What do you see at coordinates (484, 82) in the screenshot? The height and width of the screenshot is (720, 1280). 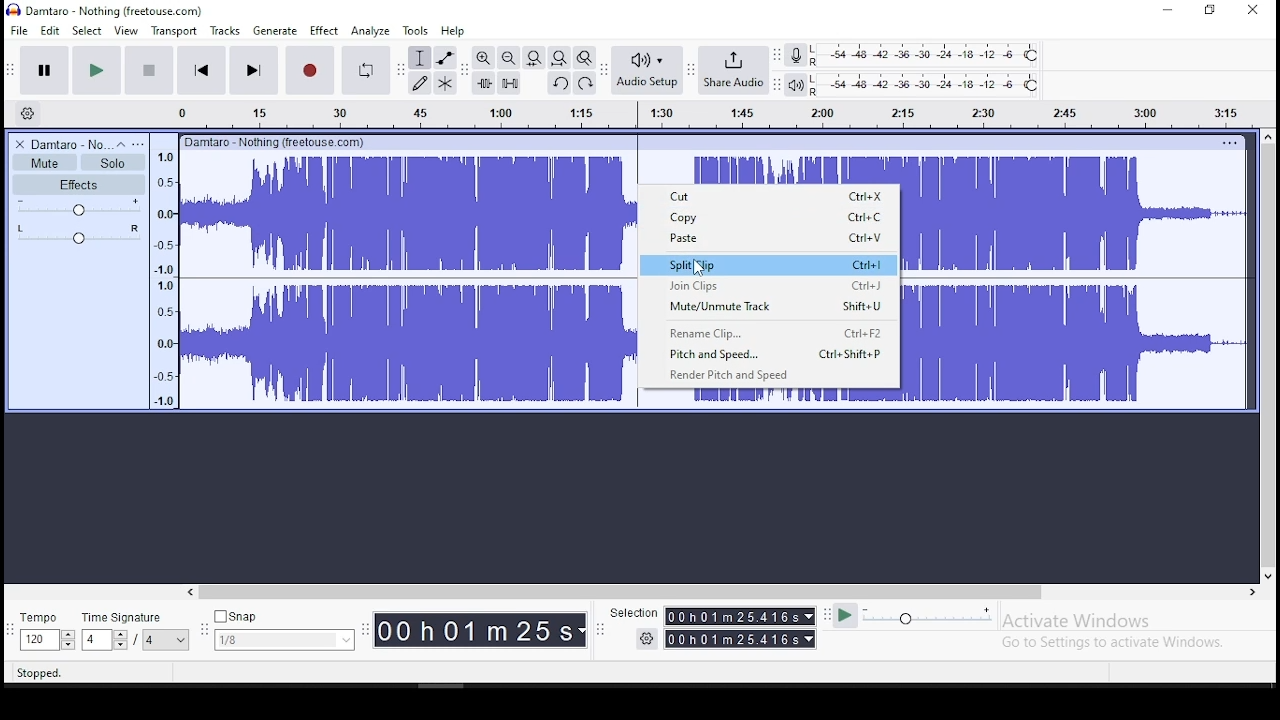 I see `trim audio outside selection` at bounding box center [484, 82].